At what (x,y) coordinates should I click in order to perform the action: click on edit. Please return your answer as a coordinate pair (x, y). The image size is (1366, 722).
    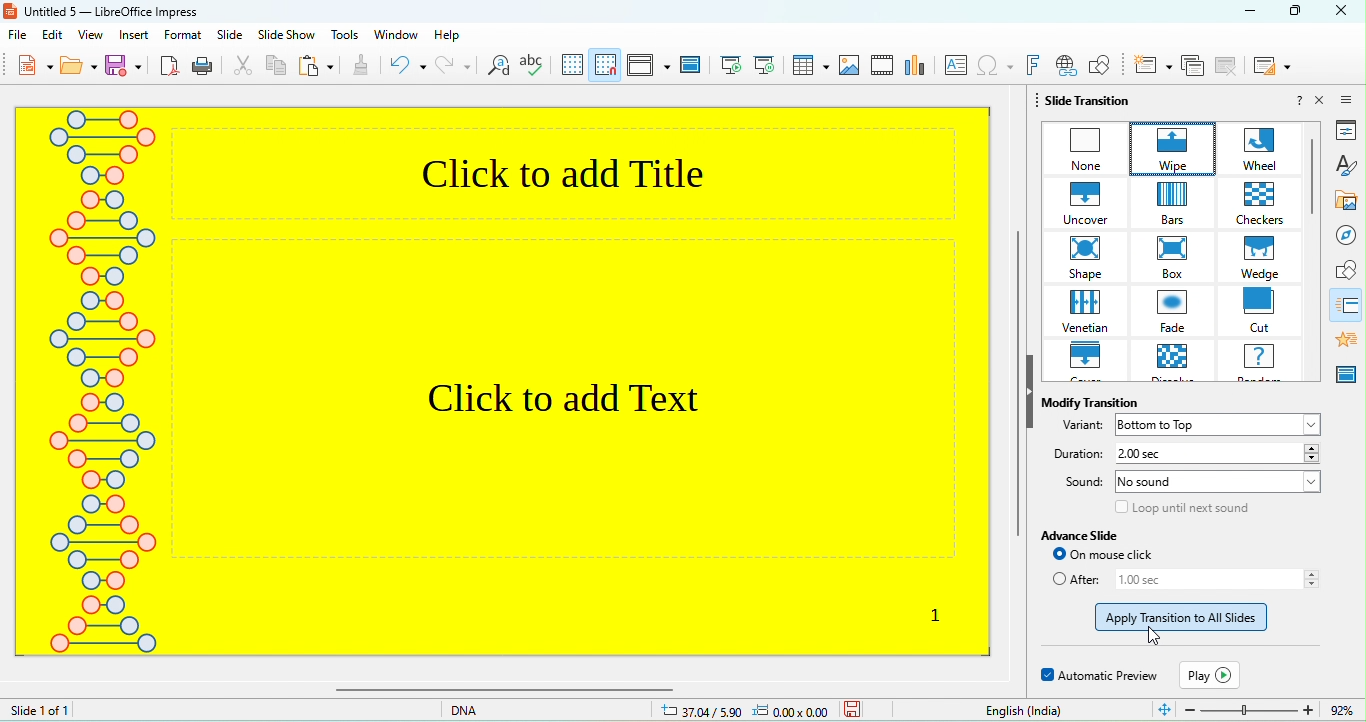
    Looking at the image, I should click on (53, 36).